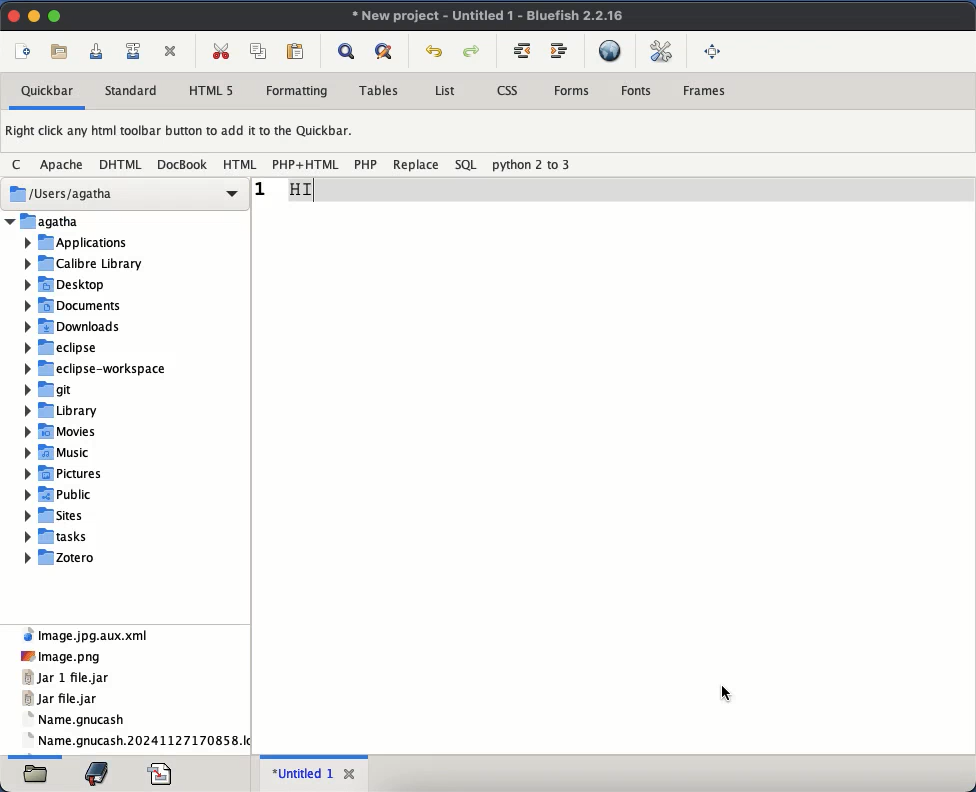 The image size is (976, 792). Describe the element at coordinates (99, 772) in the screenshot. I see `bookmark` at that location.